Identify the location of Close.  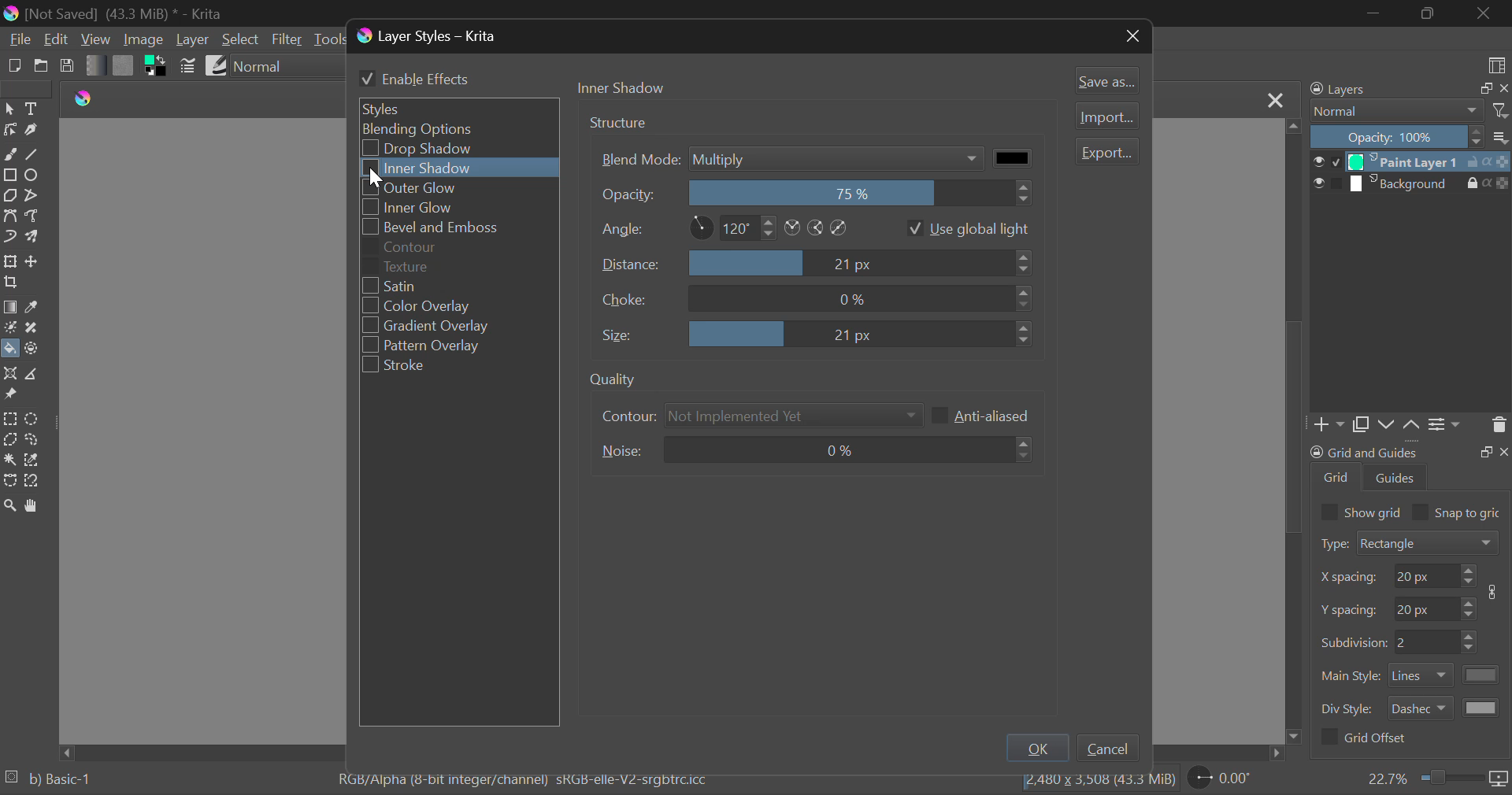
(1129, 33).